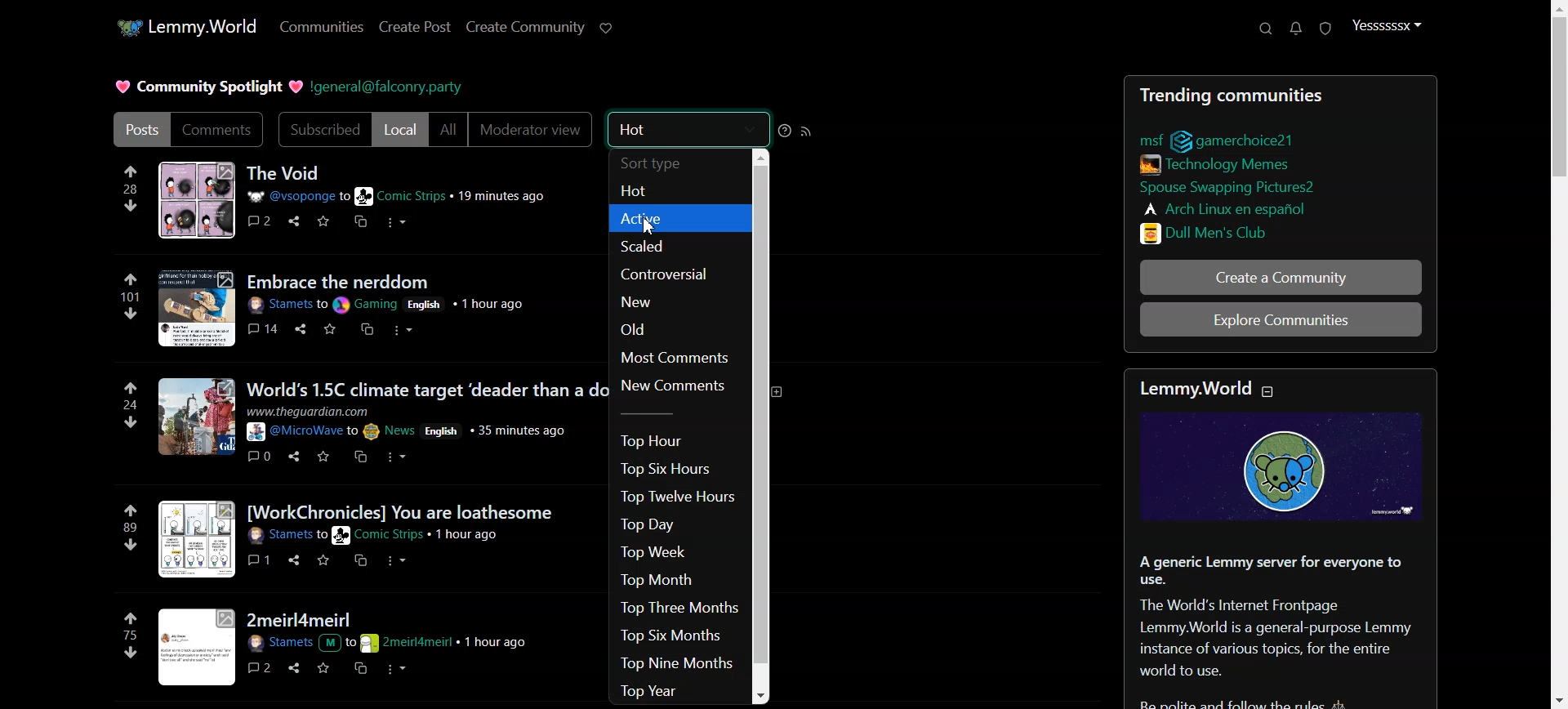 The height and width of the screenshot is (709, 1568). Describe the element at coordinates (525, 27) in the screenshot. I see `Create Community` at that location.